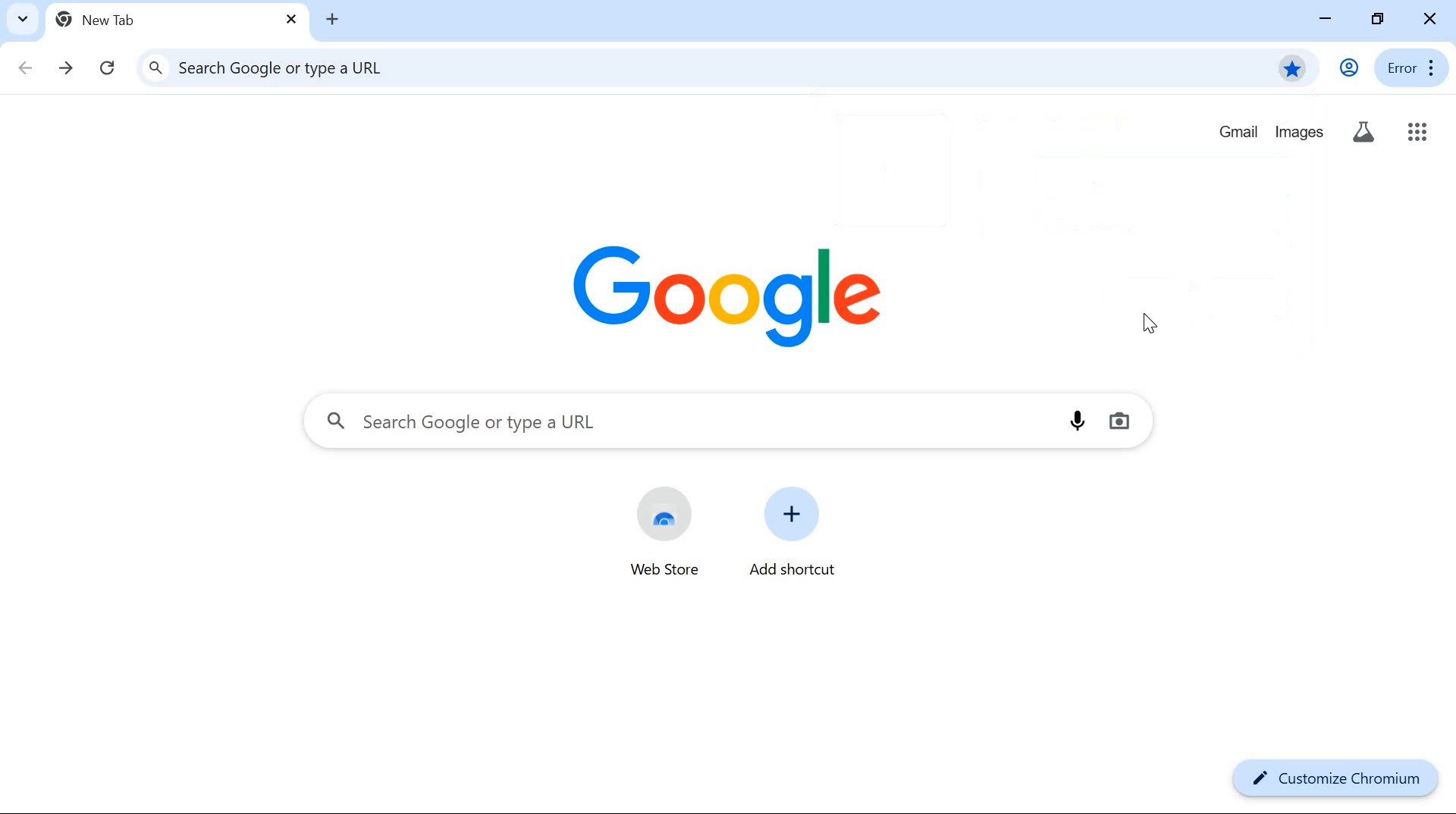 This screenshot has width=1456, height=814. What do you see at coordinates (22, 19) in the screenshot?
I see `search tabs` at bounding box center [22, 19].